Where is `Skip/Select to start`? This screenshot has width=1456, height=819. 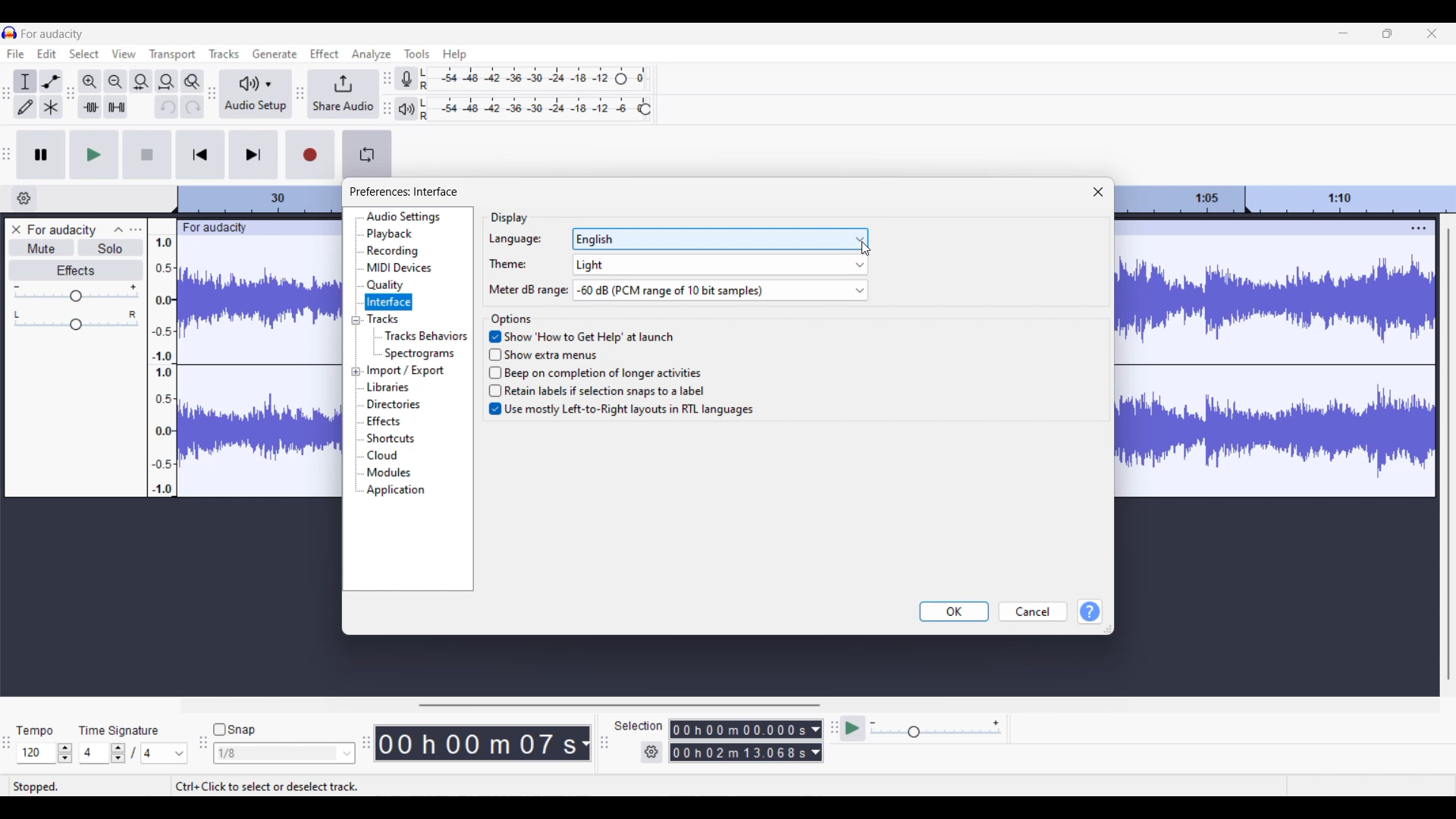
Skip/Select to start is located at coordinates (201, 155).